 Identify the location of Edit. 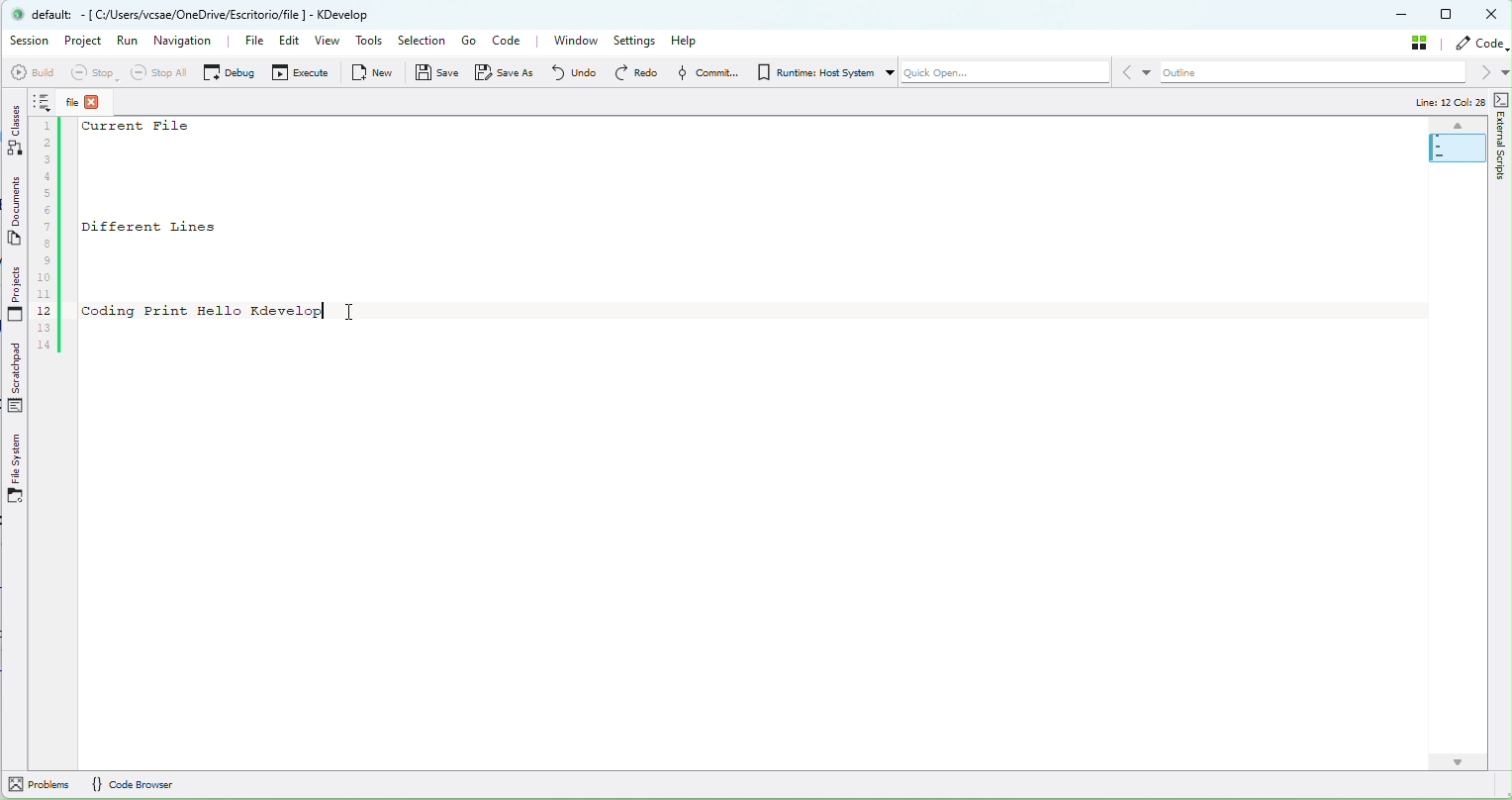
(285, 44).